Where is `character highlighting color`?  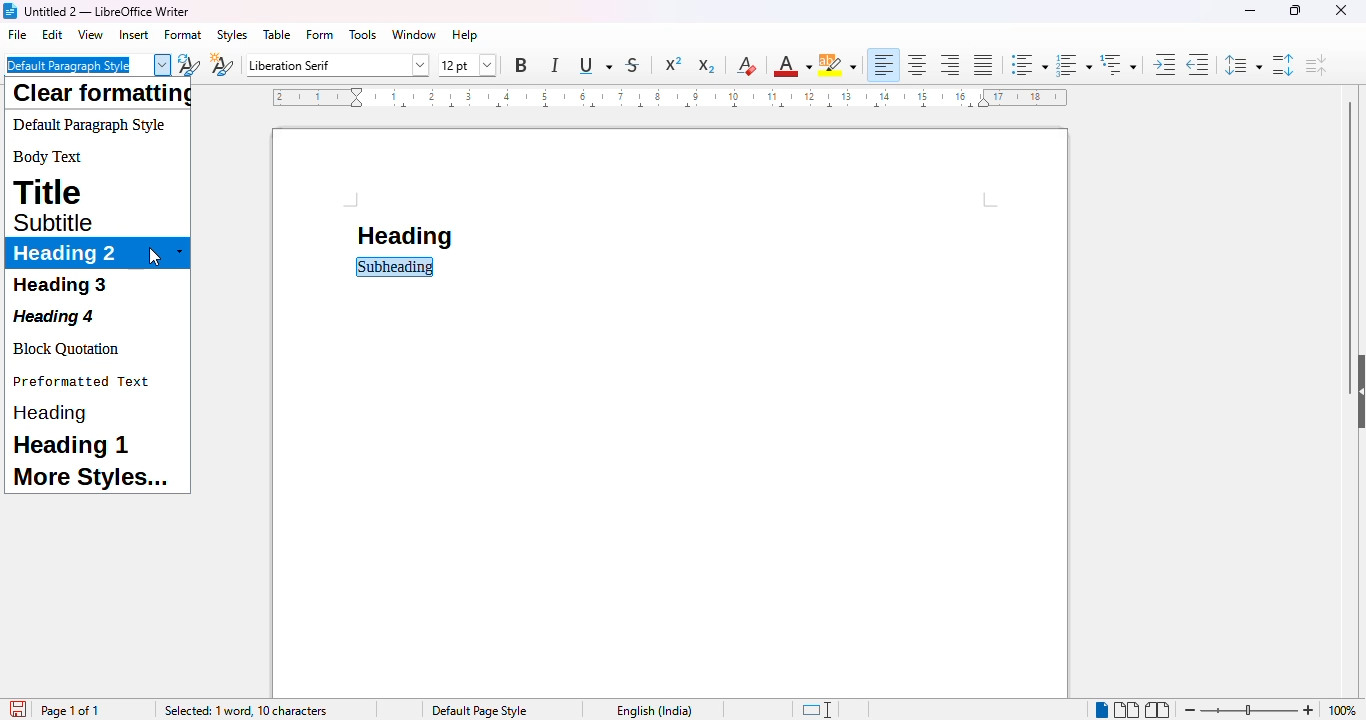 character highlighting color is located at coordinates (837, 65).